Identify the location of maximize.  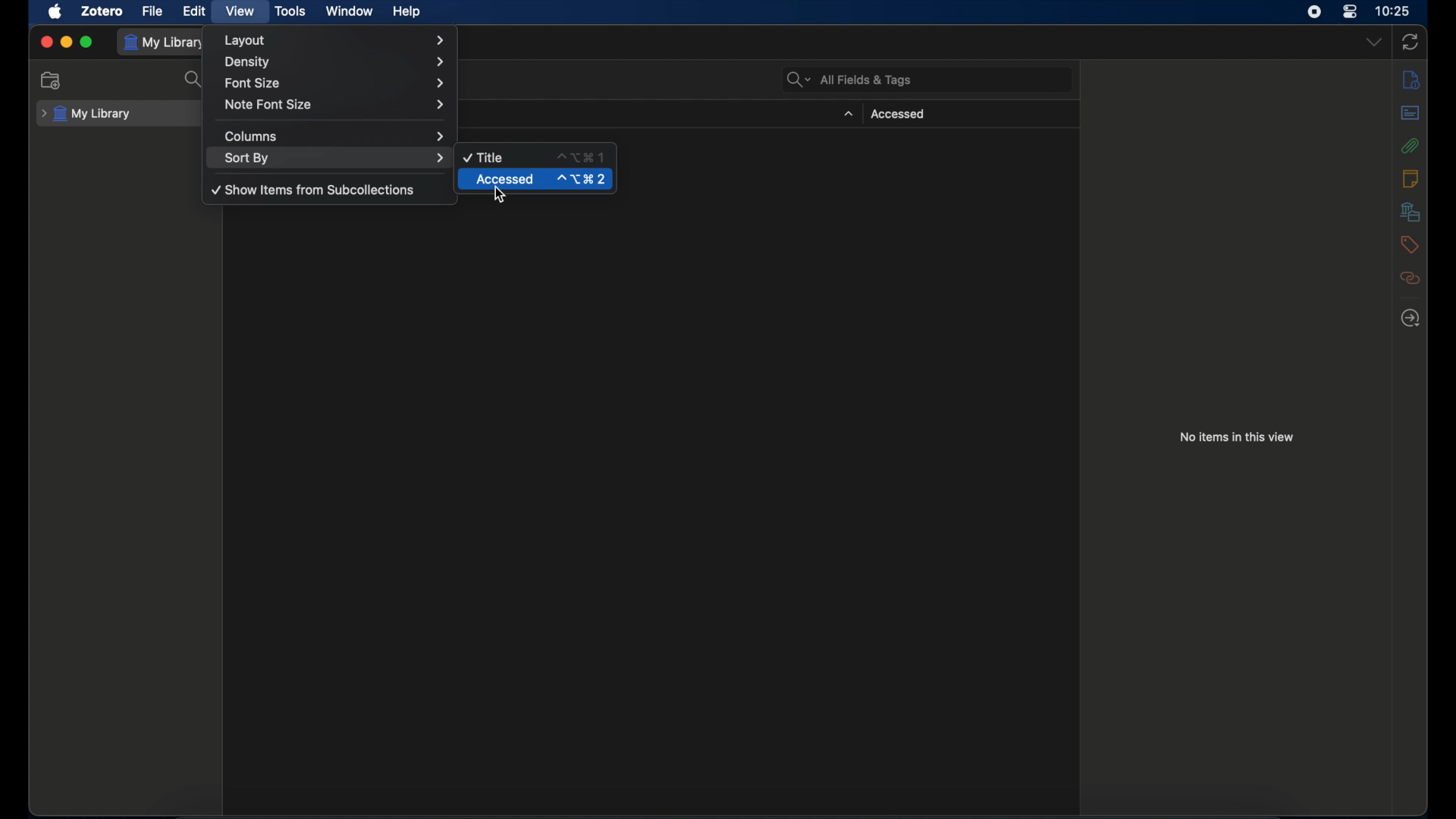
(87, 42).